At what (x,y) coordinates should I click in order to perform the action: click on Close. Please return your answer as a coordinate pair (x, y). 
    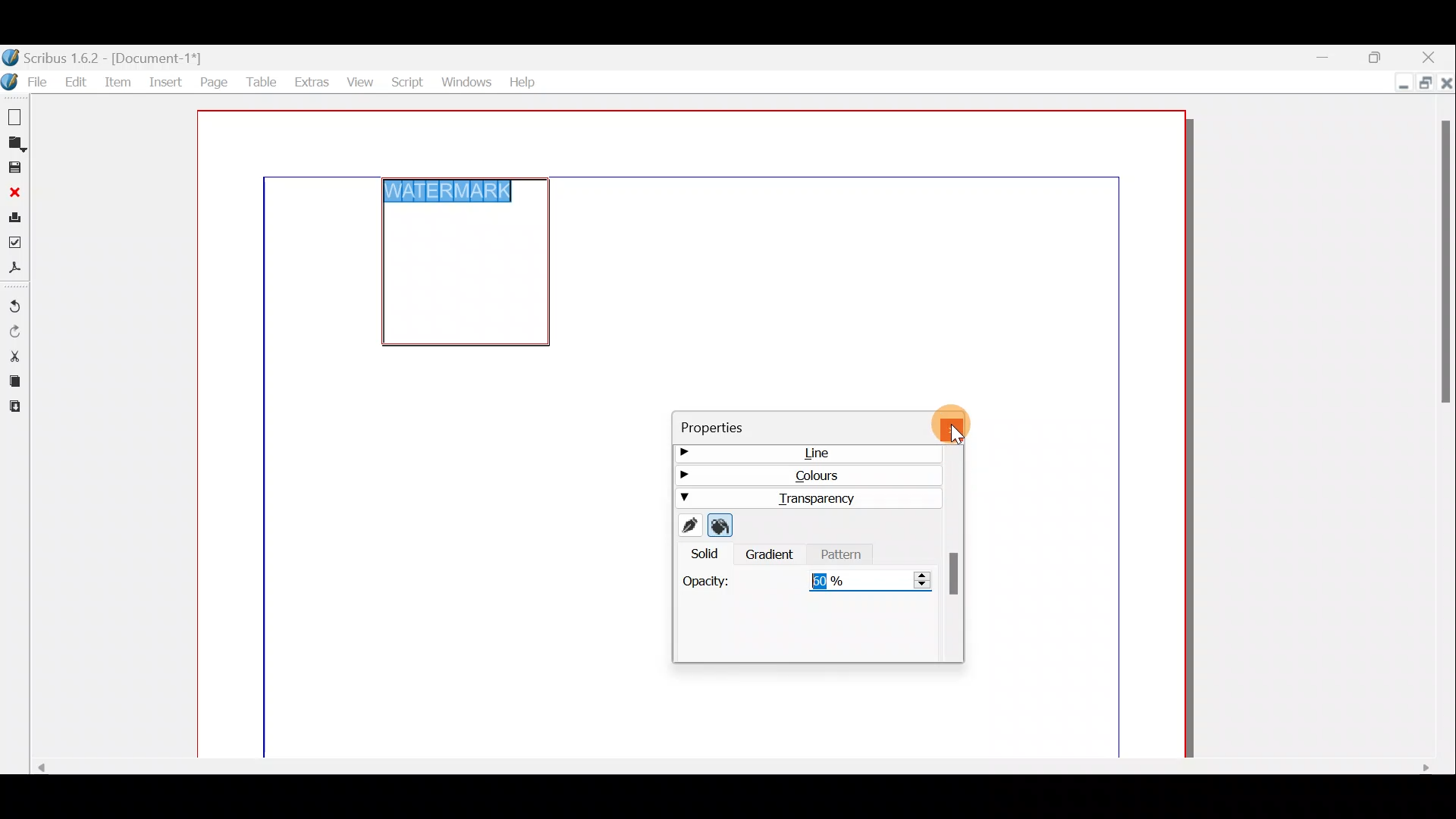
    Looking at the image, I should click on (1446, 81).